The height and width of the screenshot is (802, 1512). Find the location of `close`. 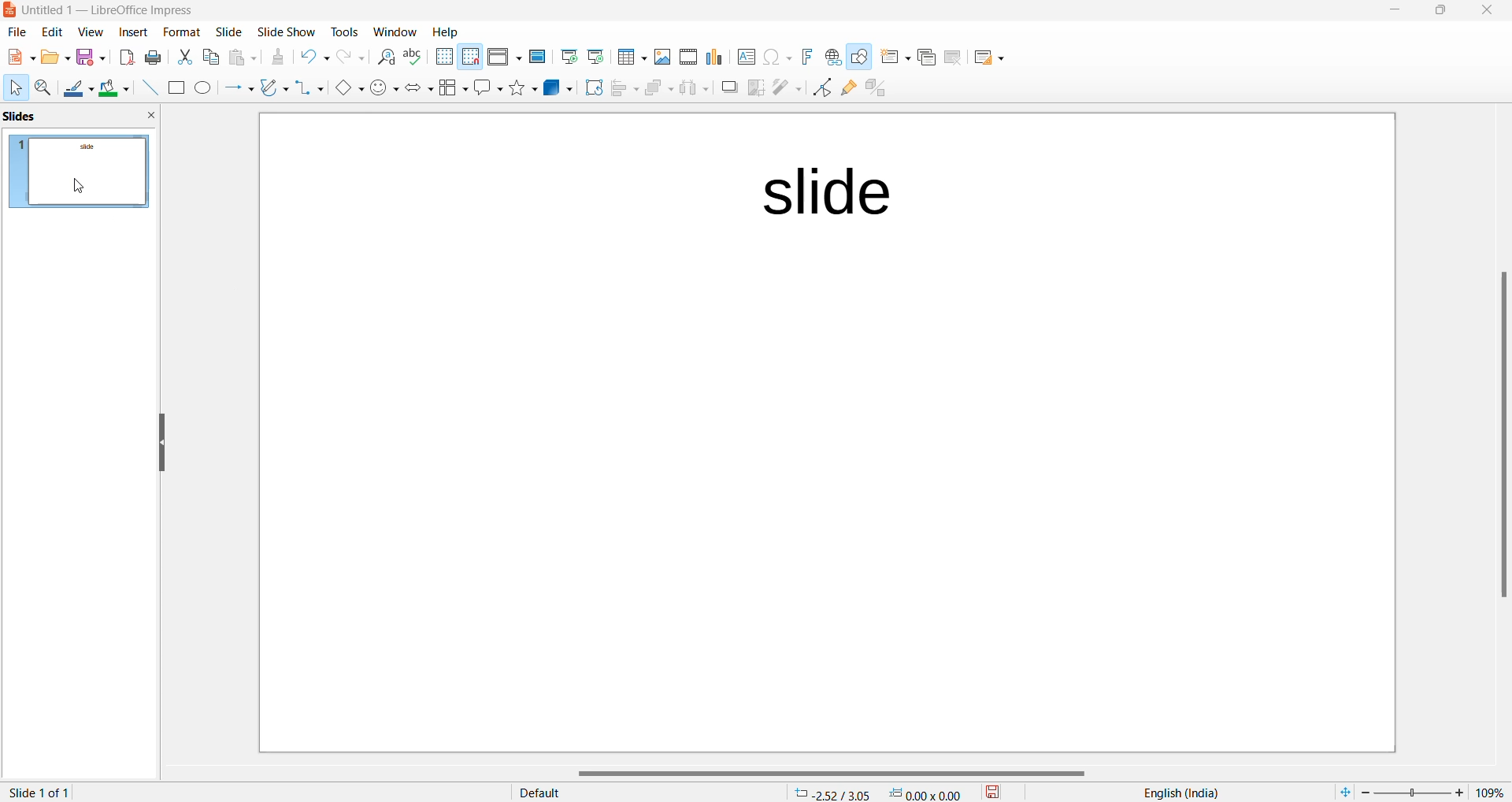

close is located at coordinates (1397, 12).